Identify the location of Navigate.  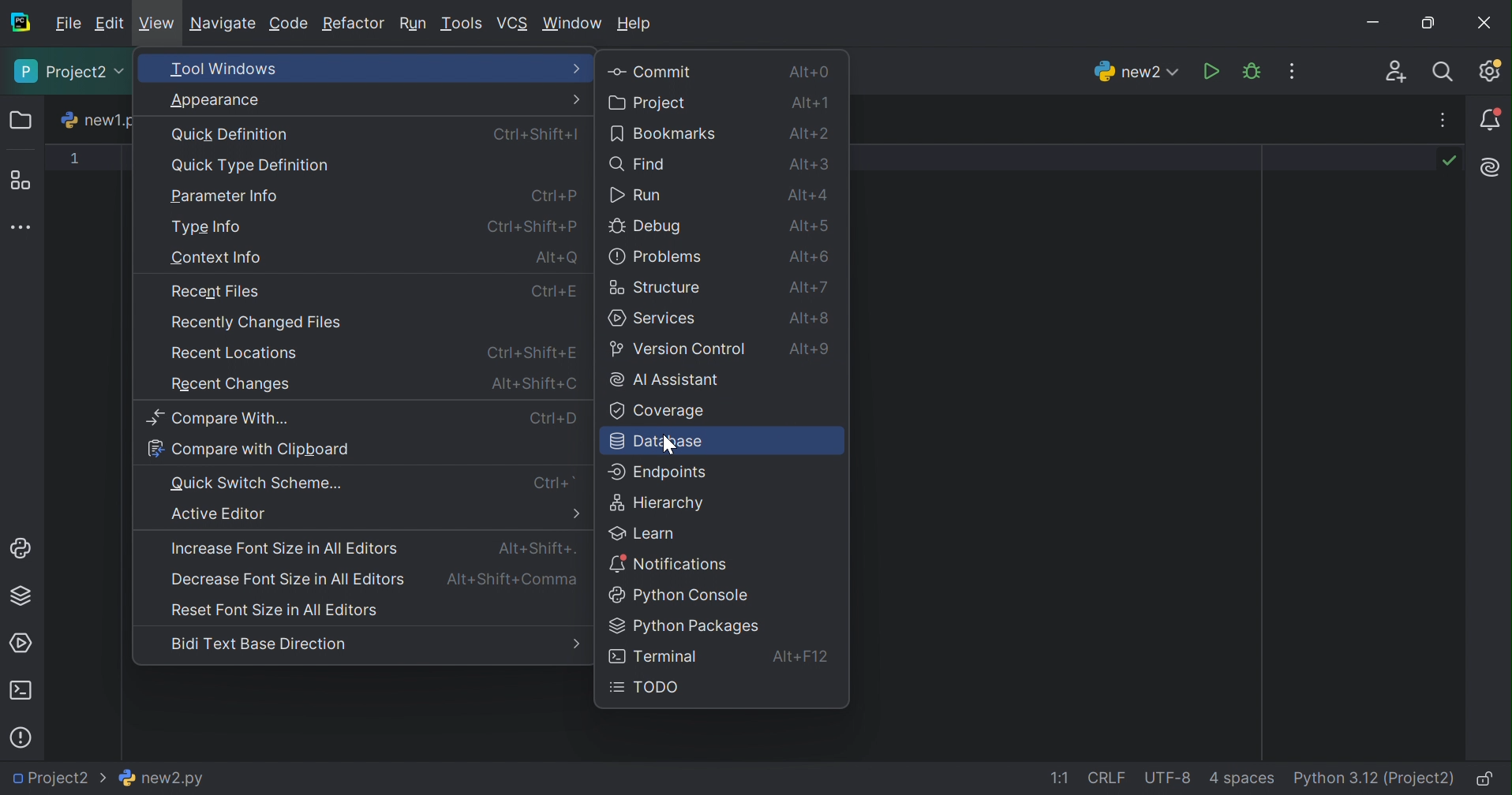
(221, 24).